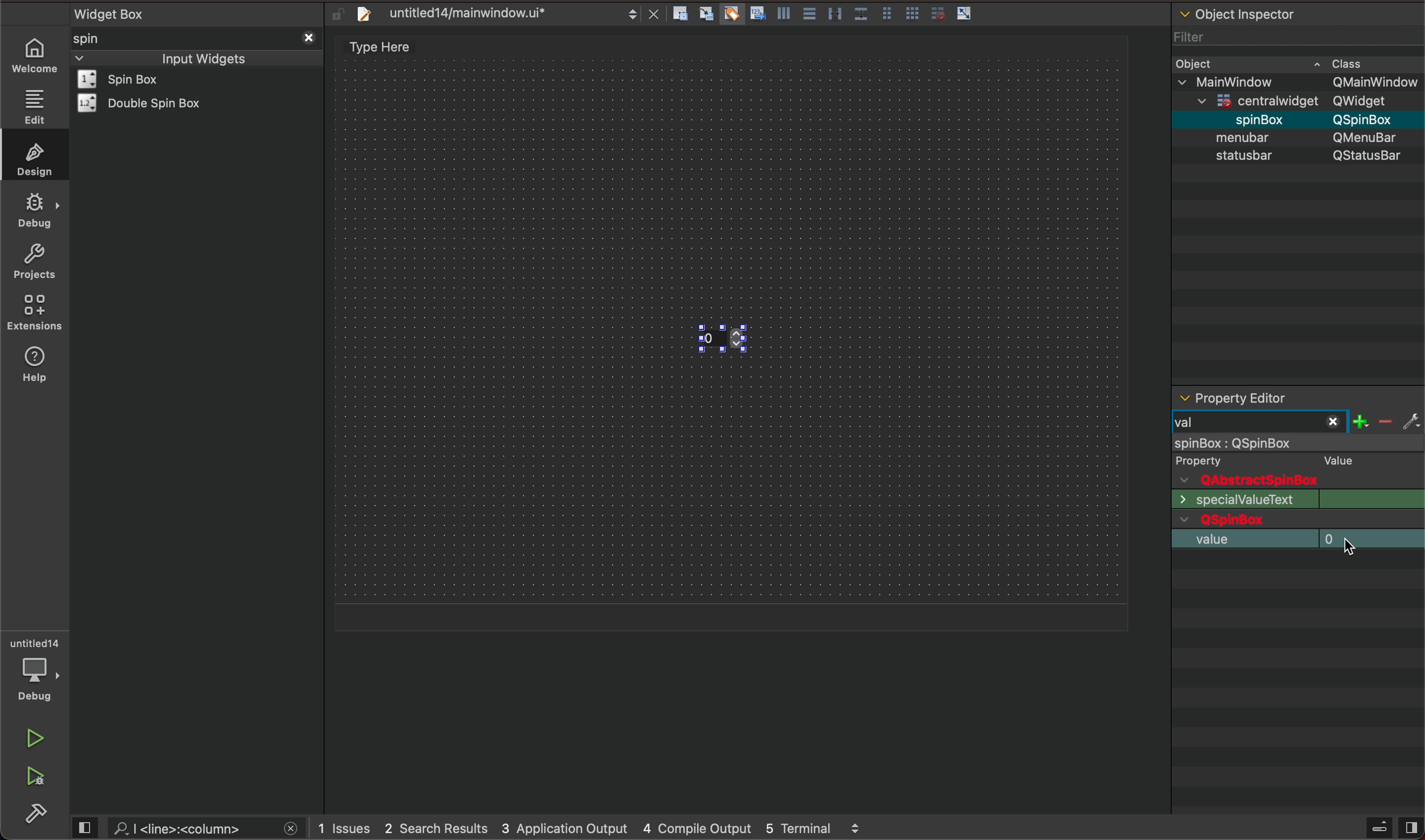  I want to click on class, so click(1349, 62).